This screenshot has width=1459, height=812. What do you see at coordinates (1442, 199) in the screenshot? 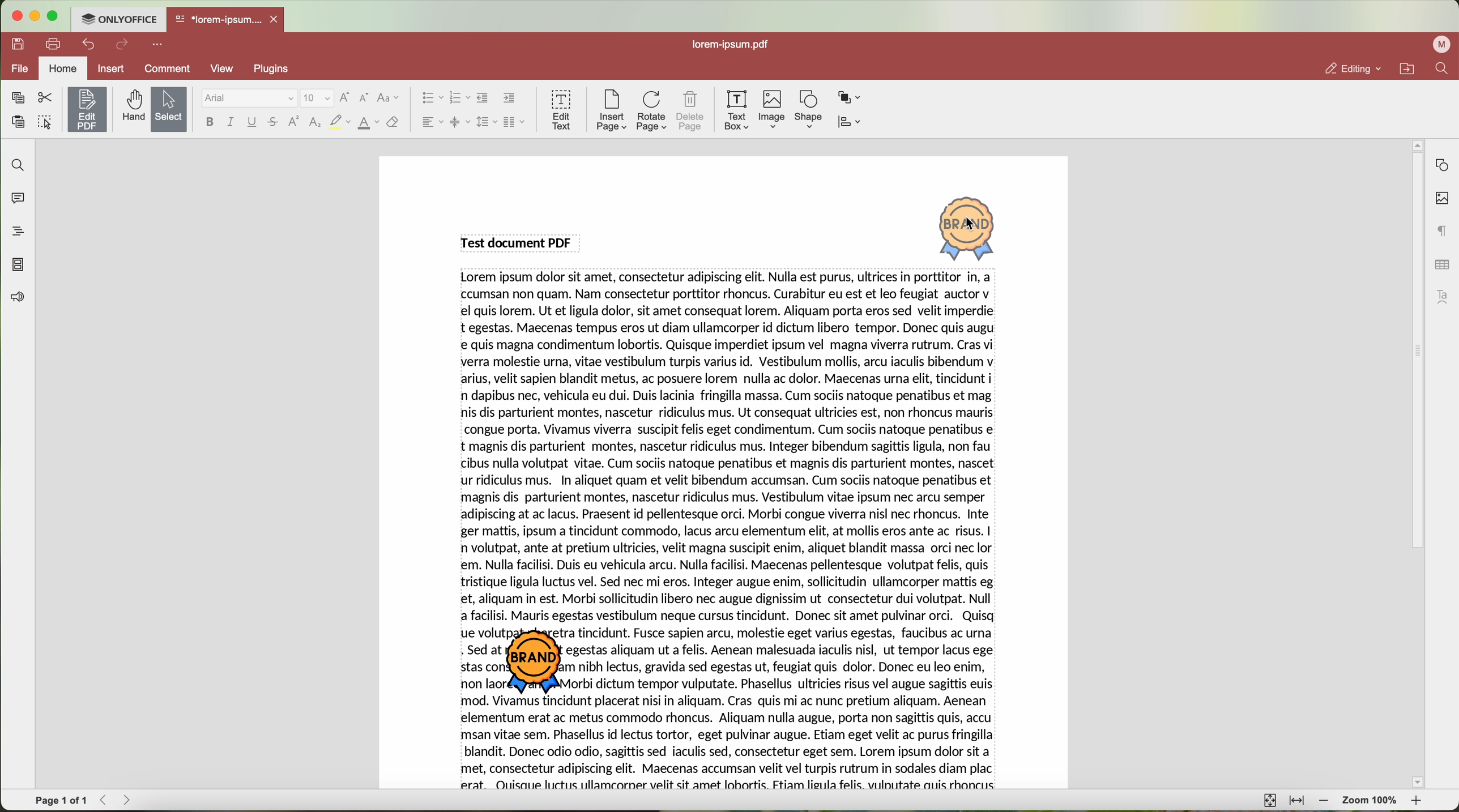
I see `image settings` at bounding box center [1442, 199].